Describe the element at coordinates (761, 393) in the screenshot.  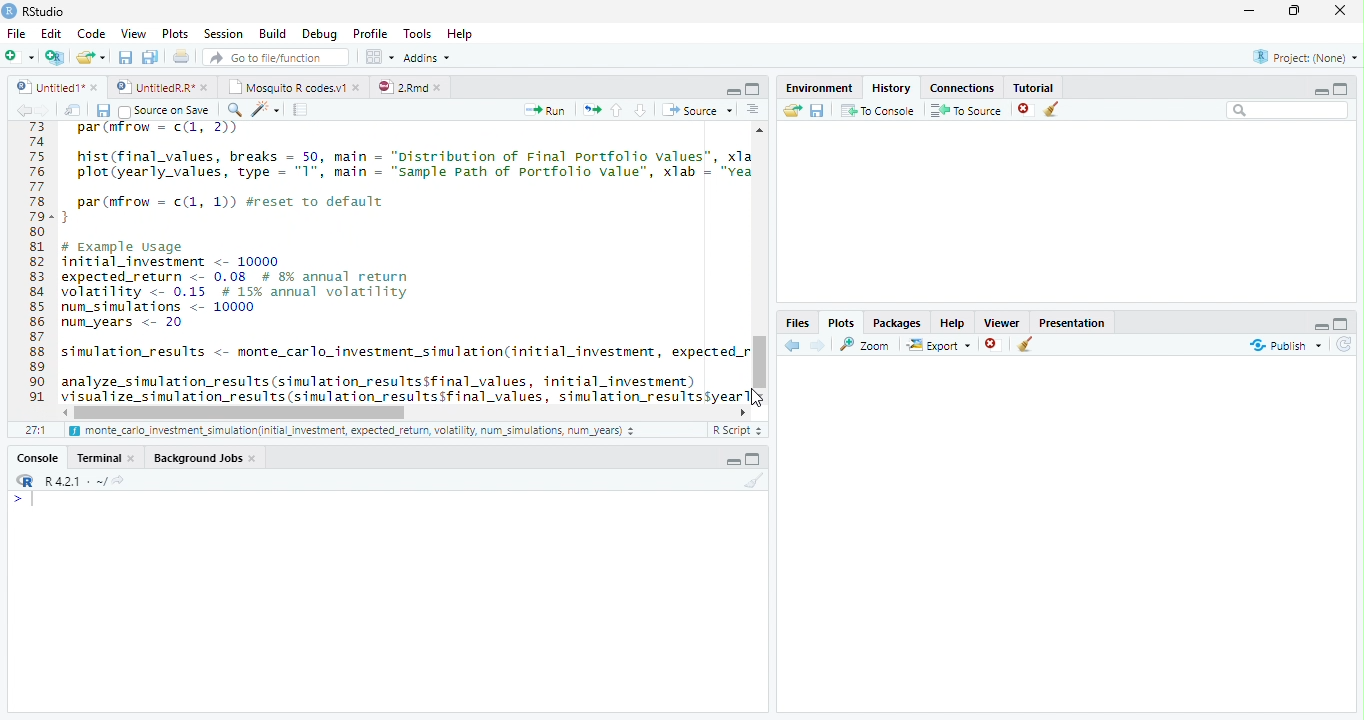
I see `Scroll down` at that location.